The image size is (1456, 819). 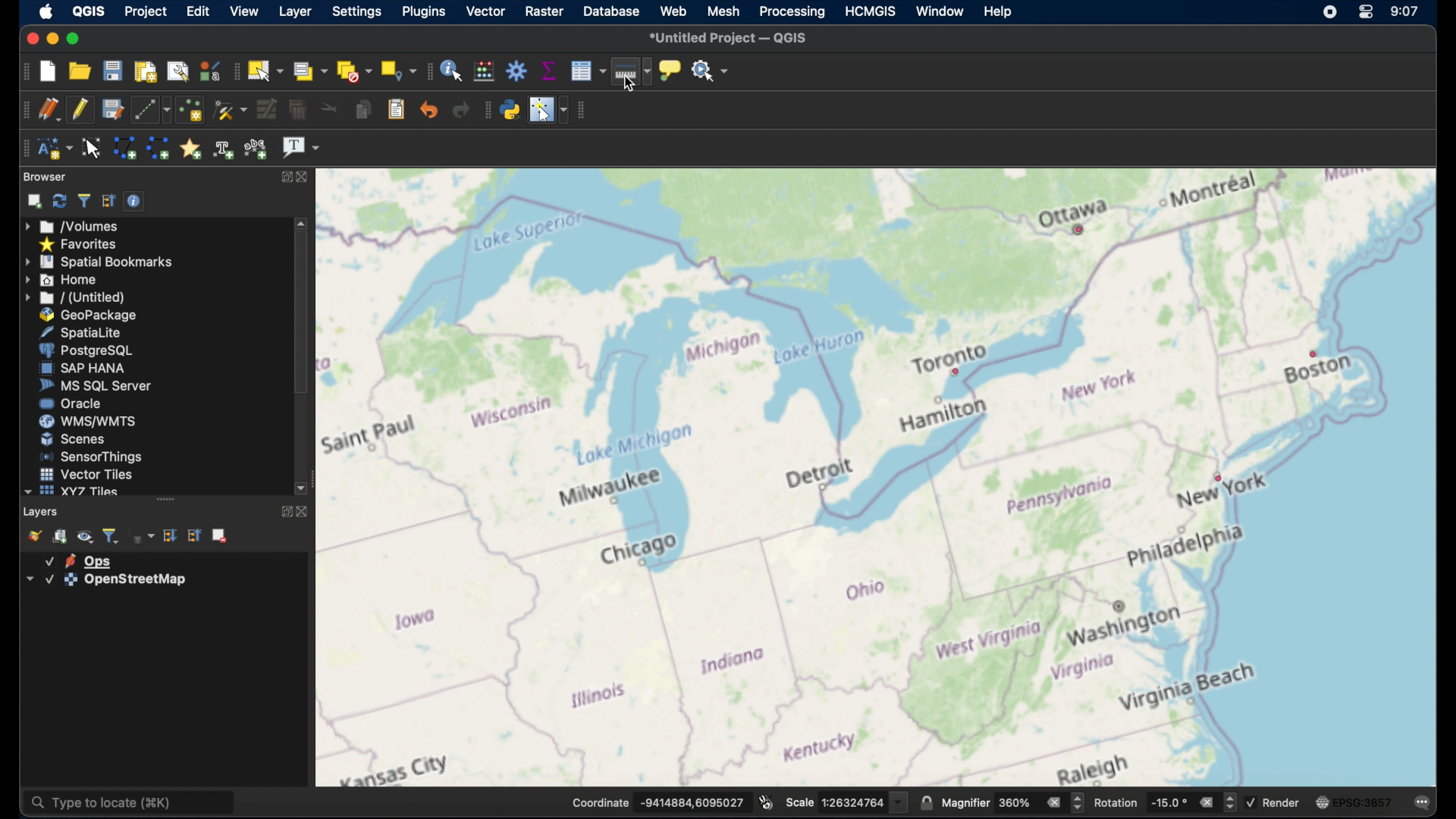 I want to click on vector tiles, so click(x=85, y=473).